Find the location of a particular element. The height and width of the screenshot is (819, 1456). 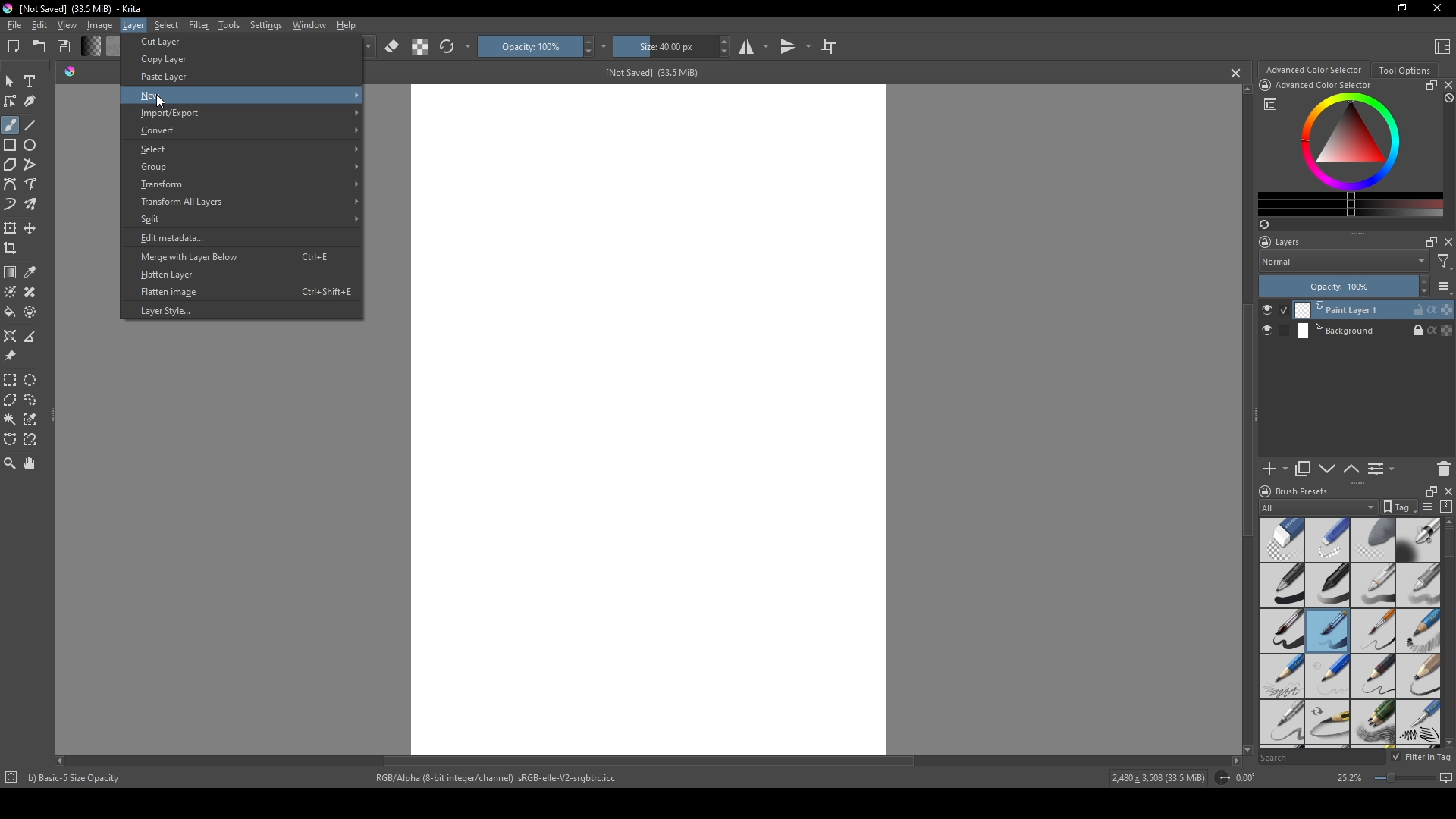

pencils is located at coordinates (1372, 723).